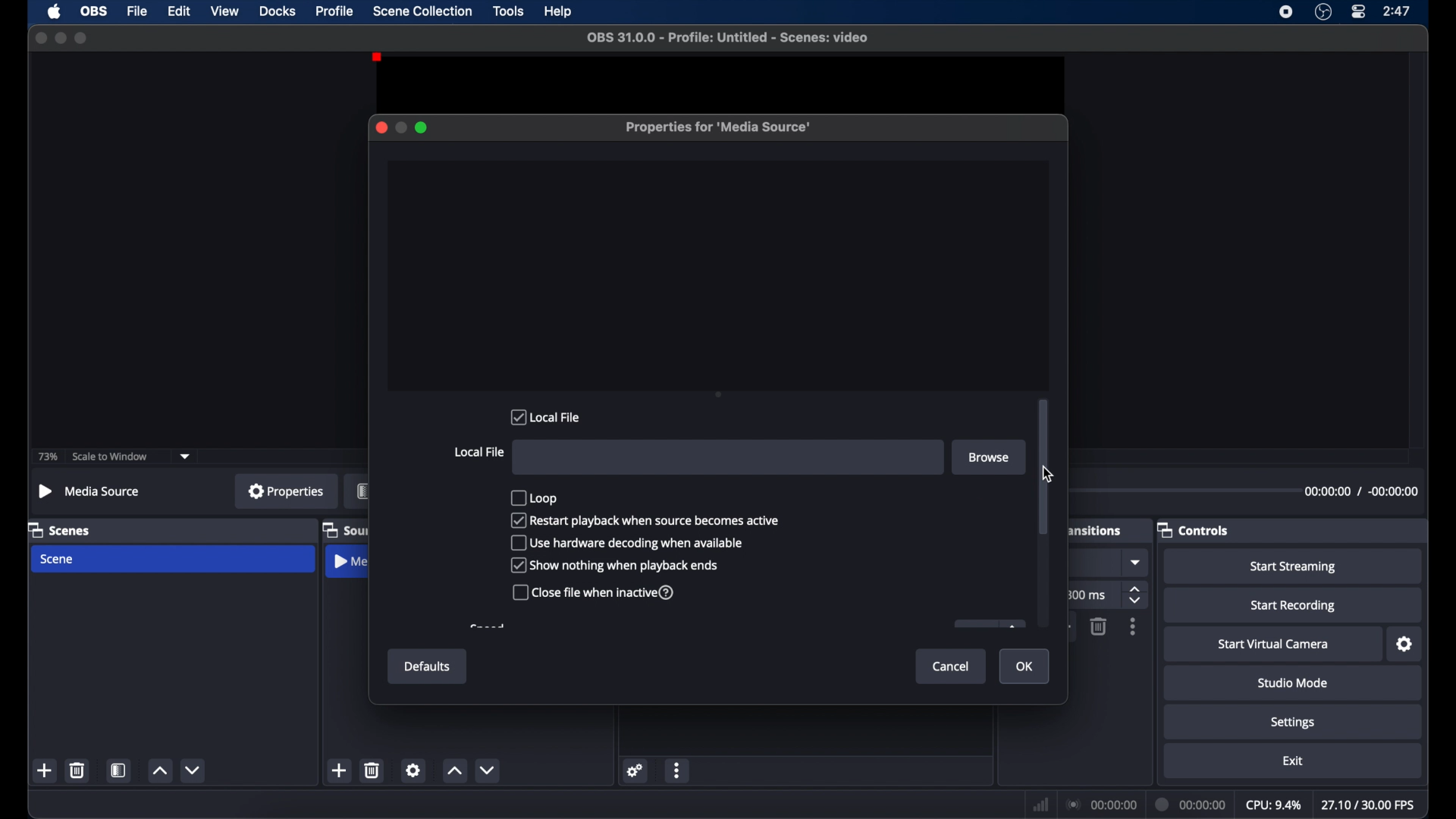 Image resolution: width=1456 pixels, height=819 pixels. Describe the element at coordinates (1053, 475) in the screenshot. I see `Cursor` at that location.